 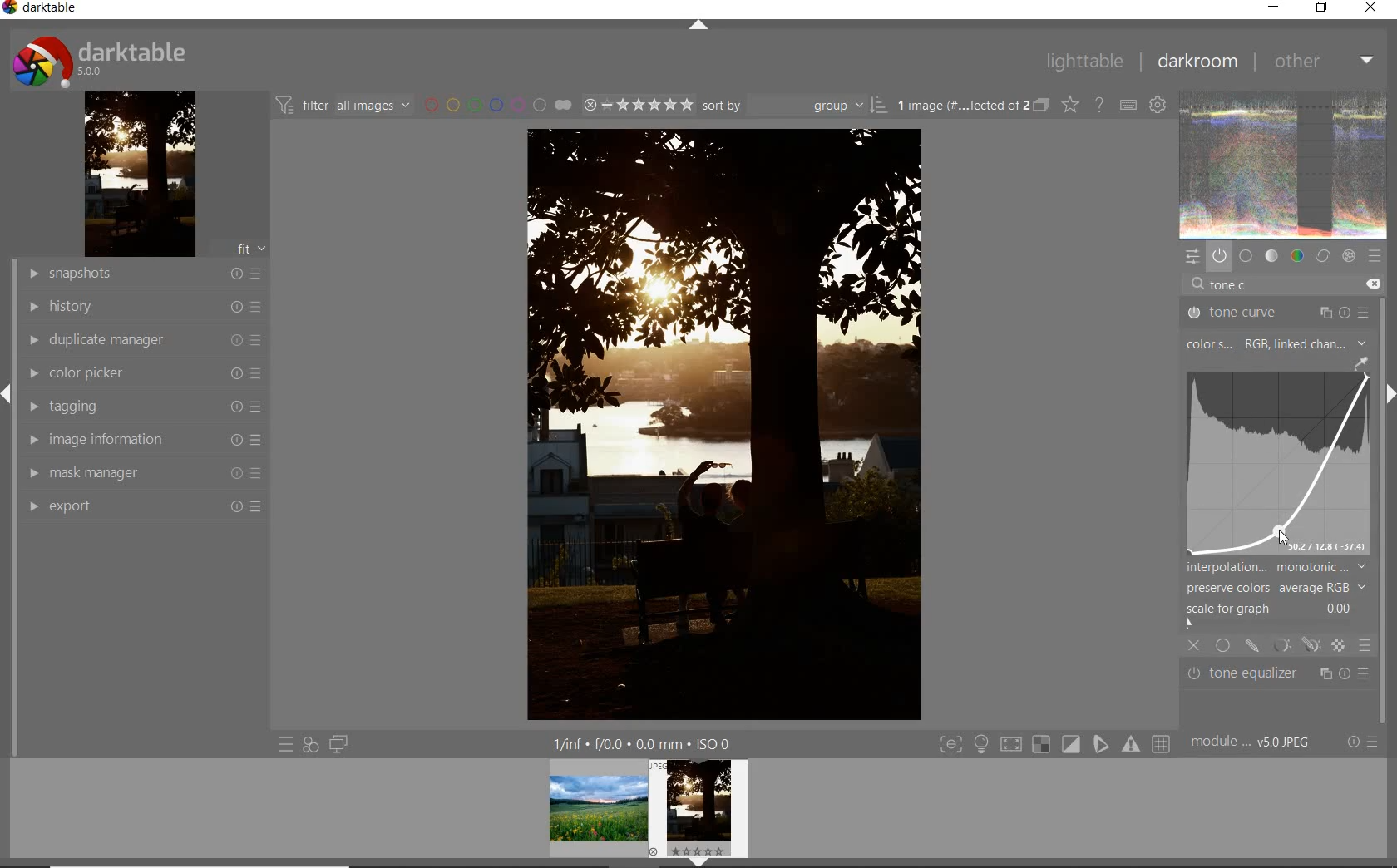 I want to click on quick access for applying any of your styles, so click(x=310, y=744).